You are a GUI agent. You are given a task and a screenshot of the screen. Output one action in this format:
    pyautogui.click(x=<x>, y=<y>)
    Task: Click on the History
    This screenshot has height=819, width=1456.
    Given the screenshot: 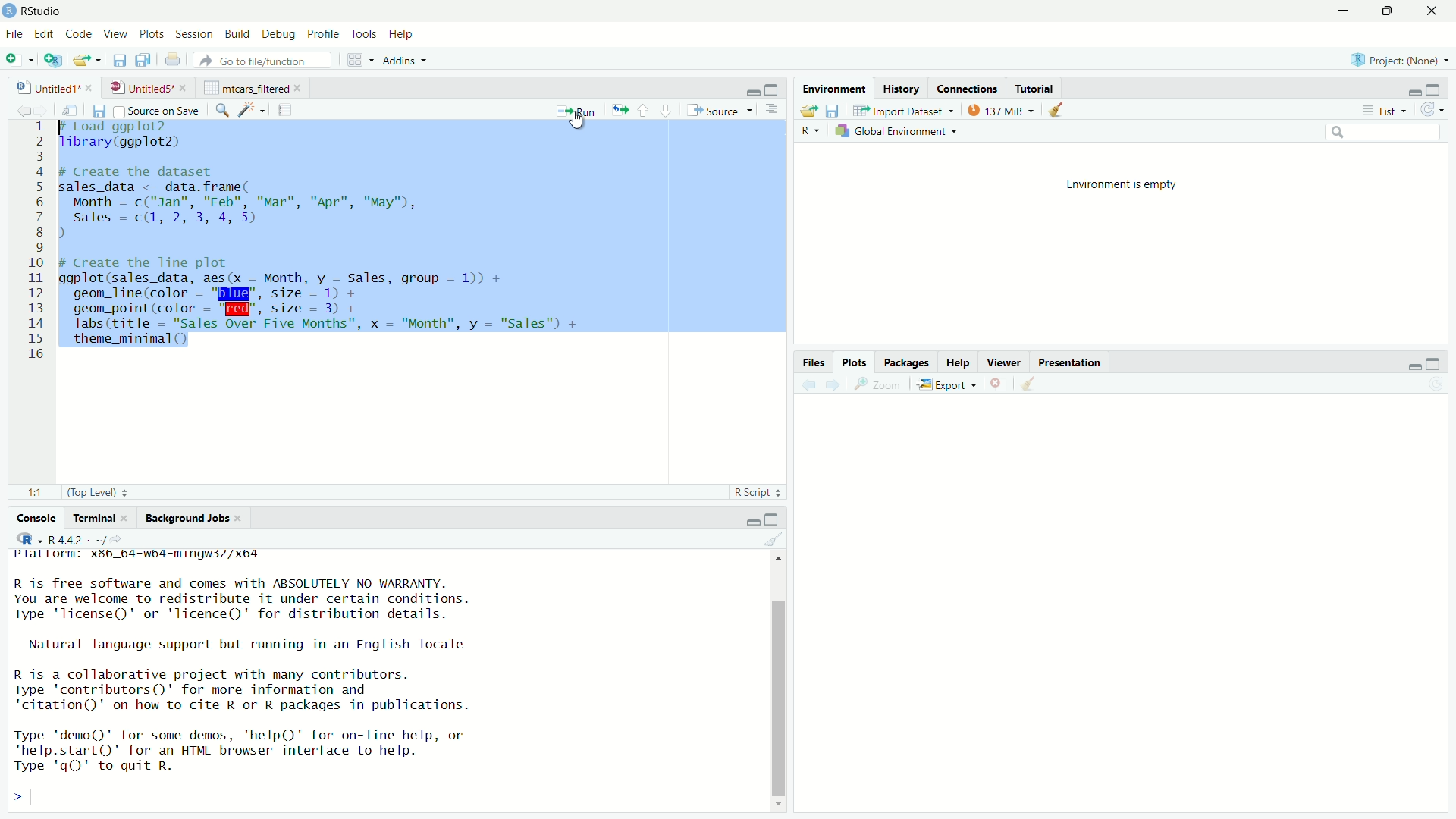 What is the action you would take?
    pyautogui.click(x=900, y=89)
    